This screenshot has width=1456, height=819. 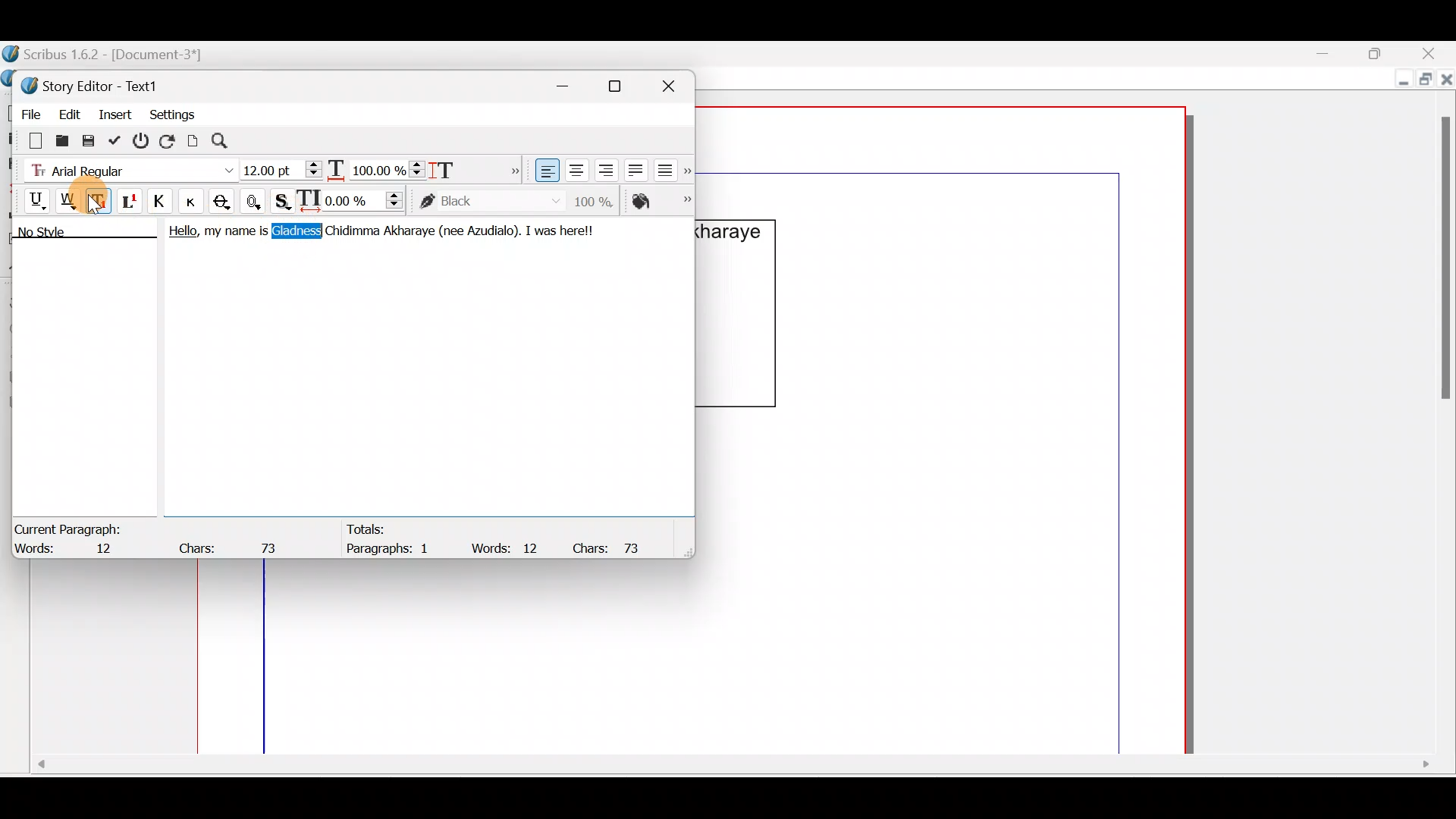 I want to click on Font size - 12:00pt, so click(x=283, y=170).